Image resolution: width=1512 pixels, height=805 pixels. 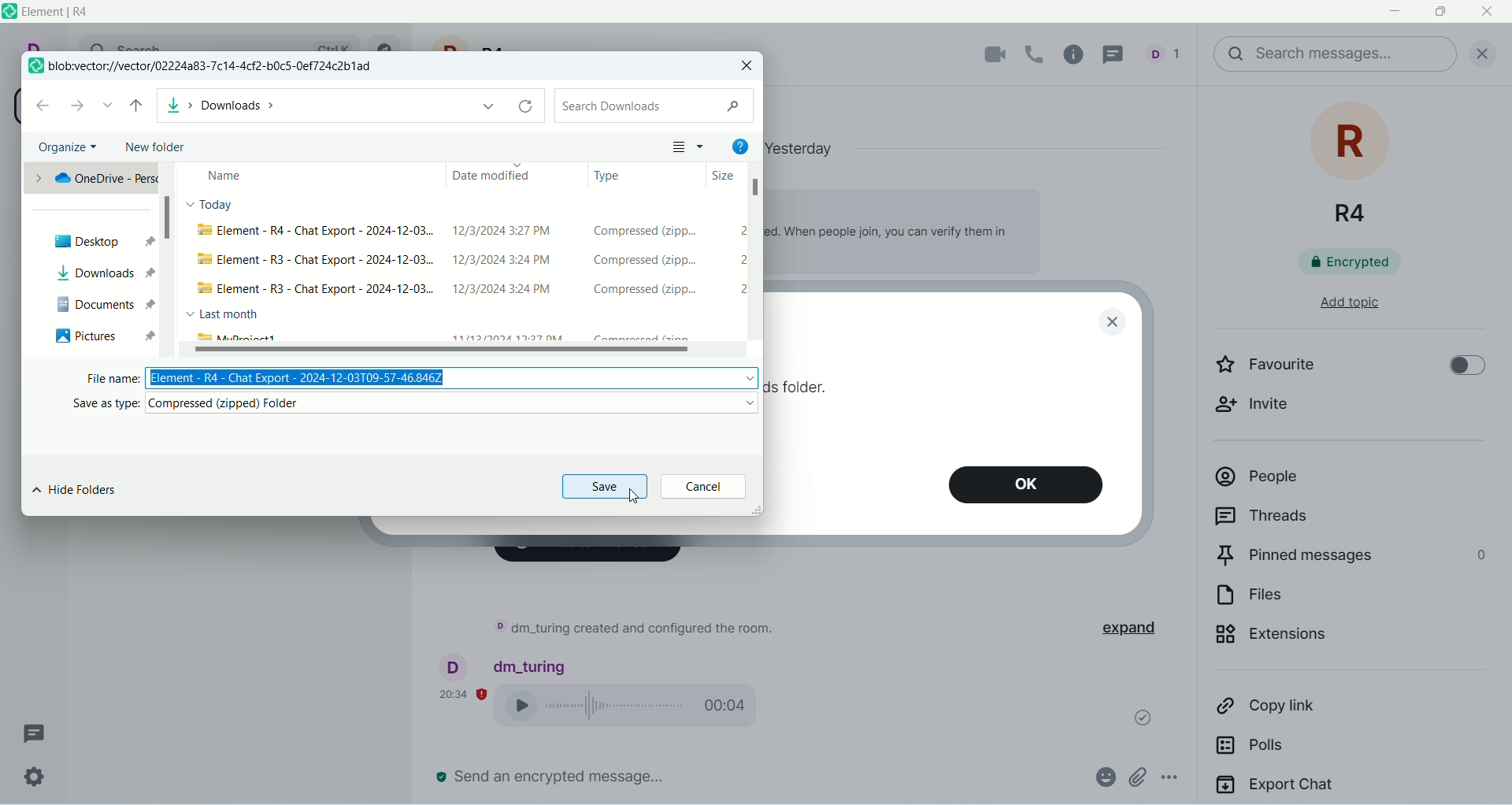 I want to click on voice call, so click(x=1036, y=53).